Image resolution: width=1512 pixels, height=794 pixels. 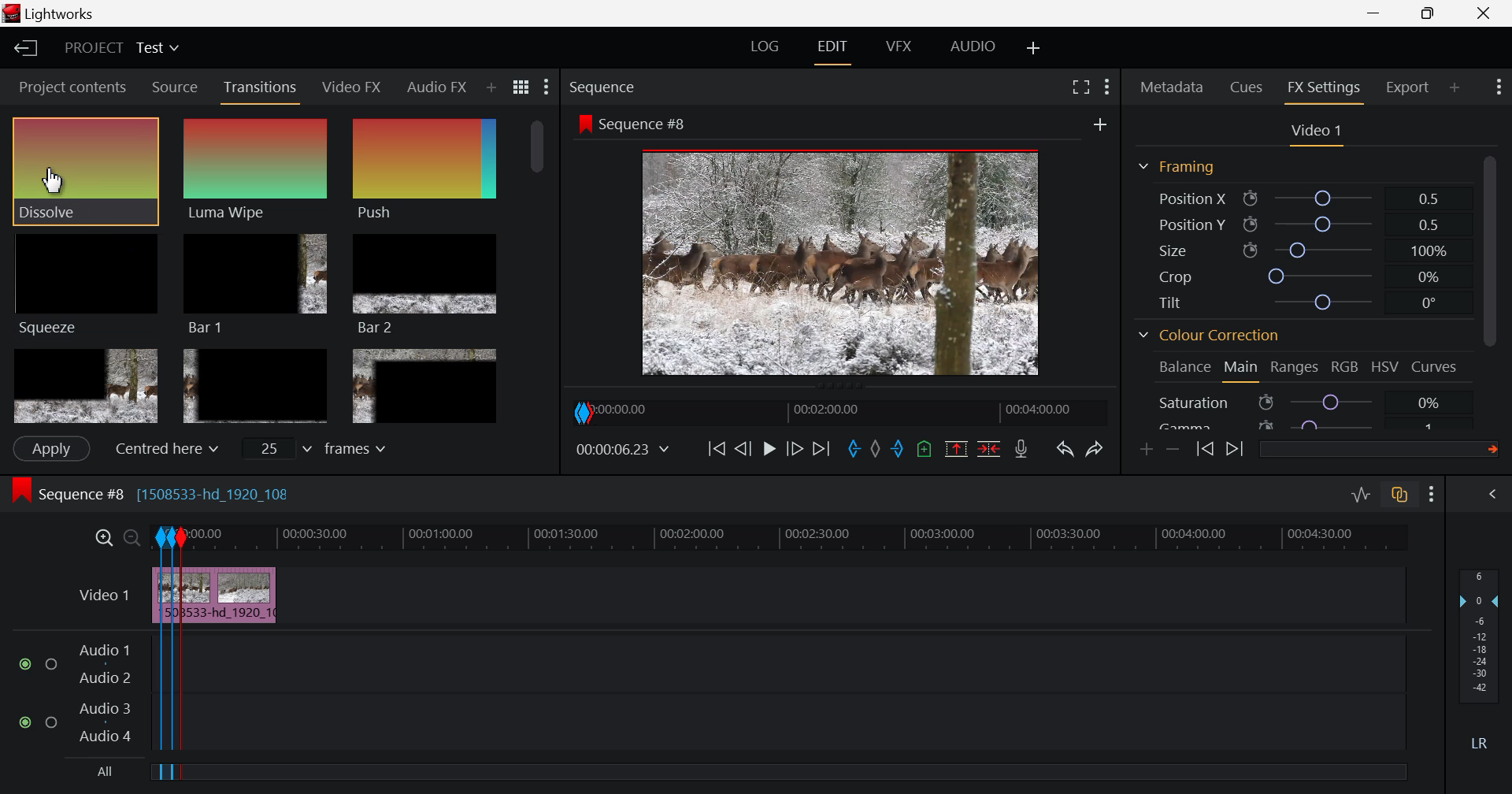 What do you see at coordinates (548, 87) in the screenshot?
I see `Show Settings` at bounding box center [548, 87].